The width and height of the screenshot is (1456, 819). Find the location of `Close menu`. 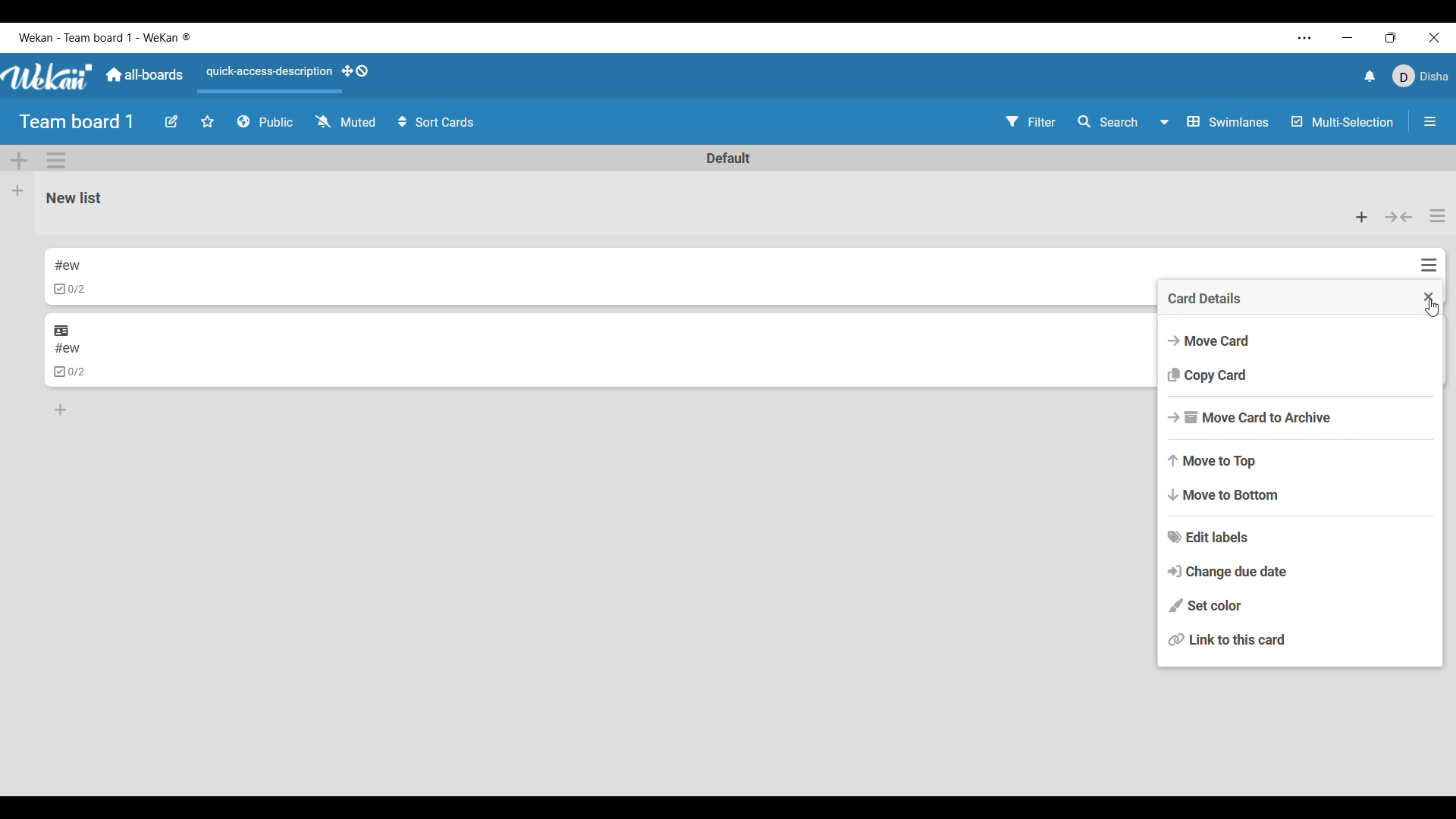

Close menu is located at coordinates (1429, 297).